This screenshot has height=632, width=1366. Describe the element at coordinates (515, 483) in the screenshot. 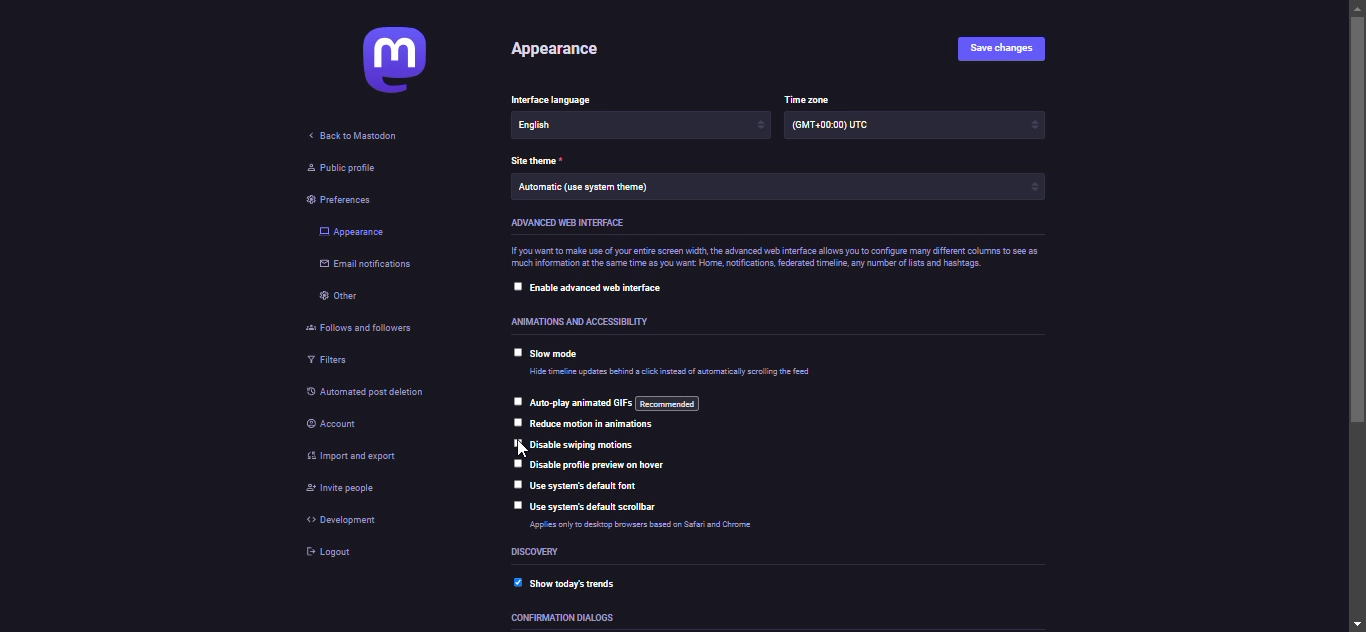

I see `click to select` at that location.